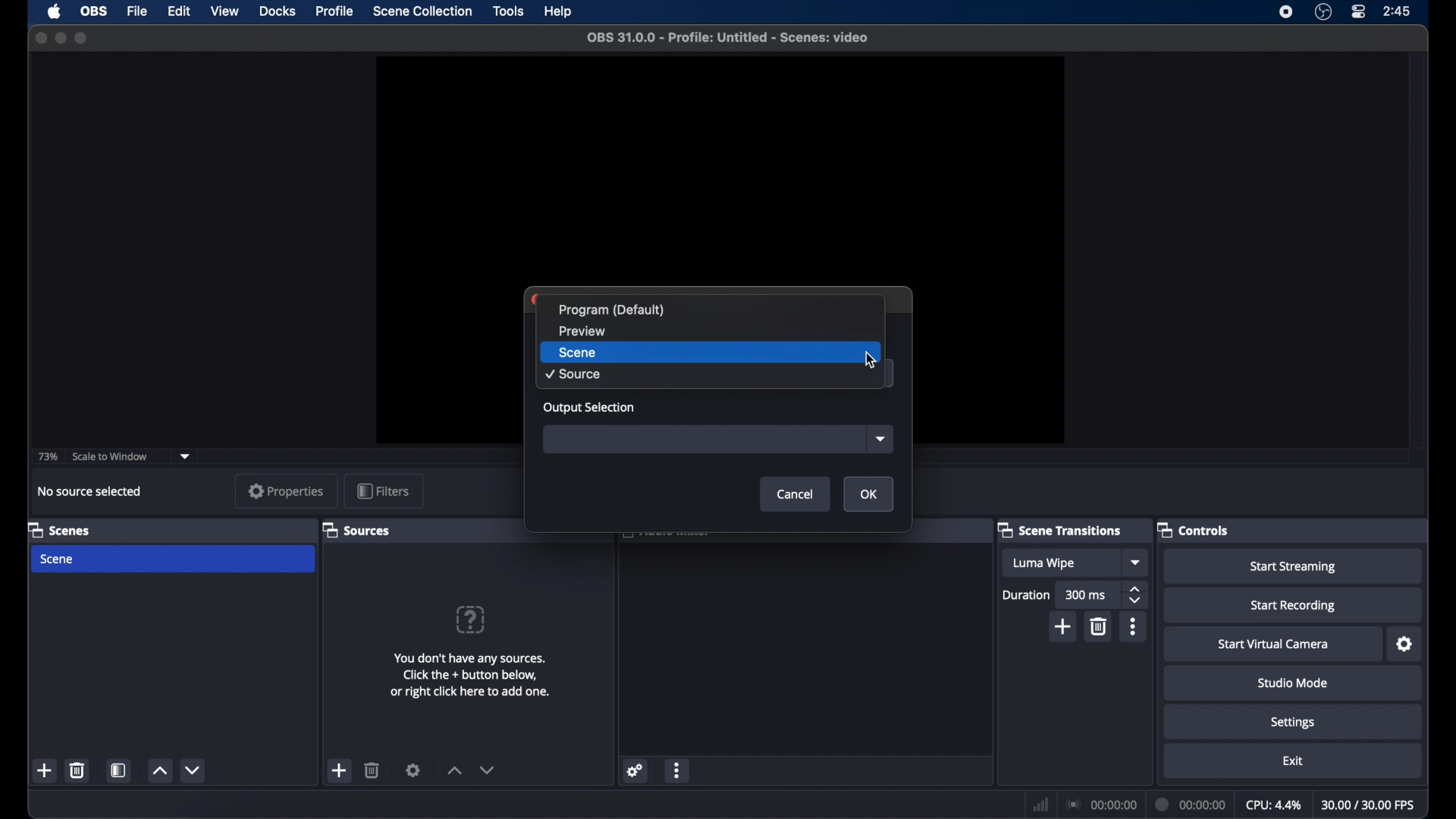 The width and height of the screenshot is (1456, 819). What do you see at coordinates (1323, 12) in the screenshot?
I see `obs studio` at bounding box center [1323, 12].